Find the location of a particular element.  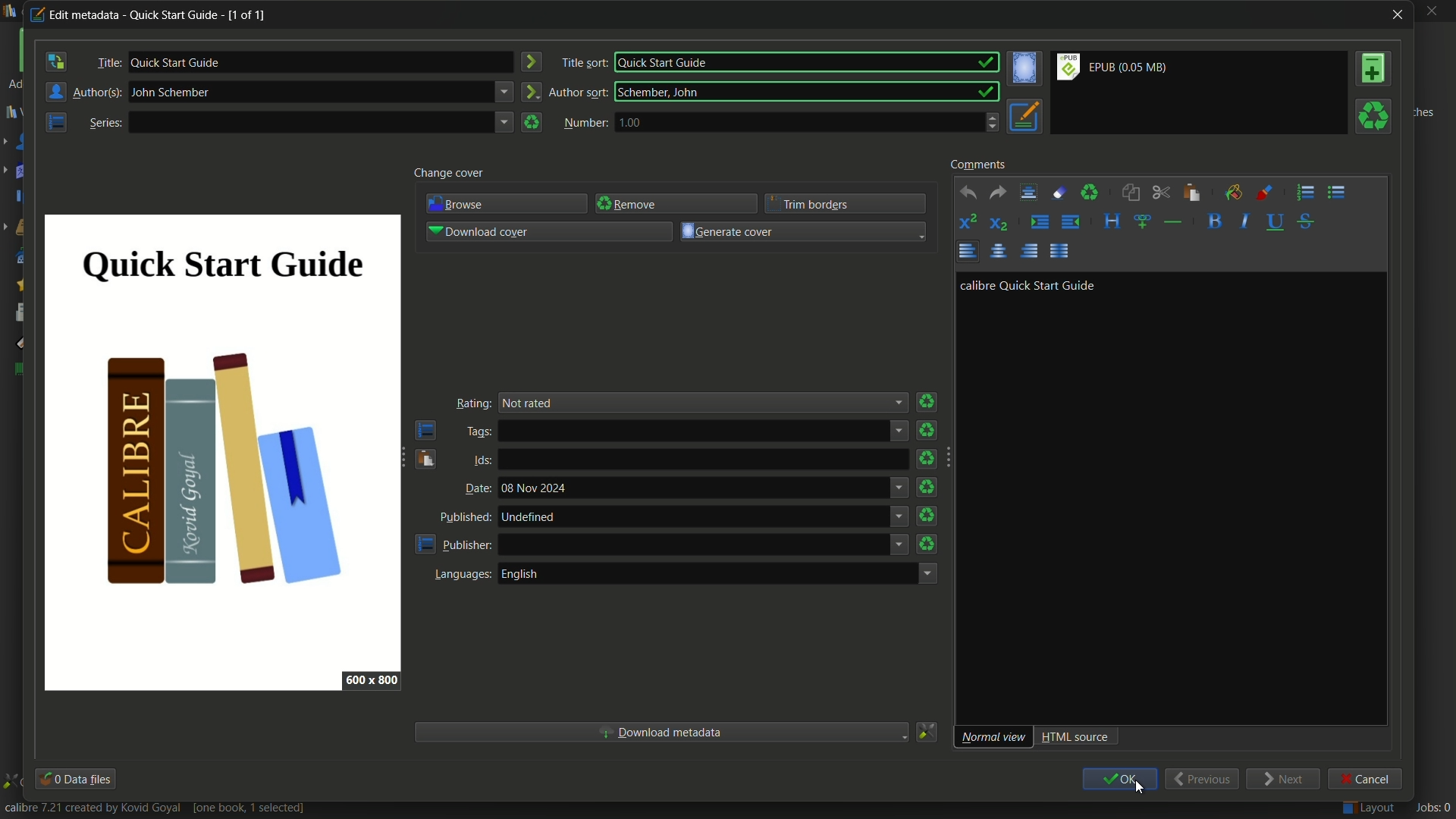

1.00 is located at coordinates (808, 122).